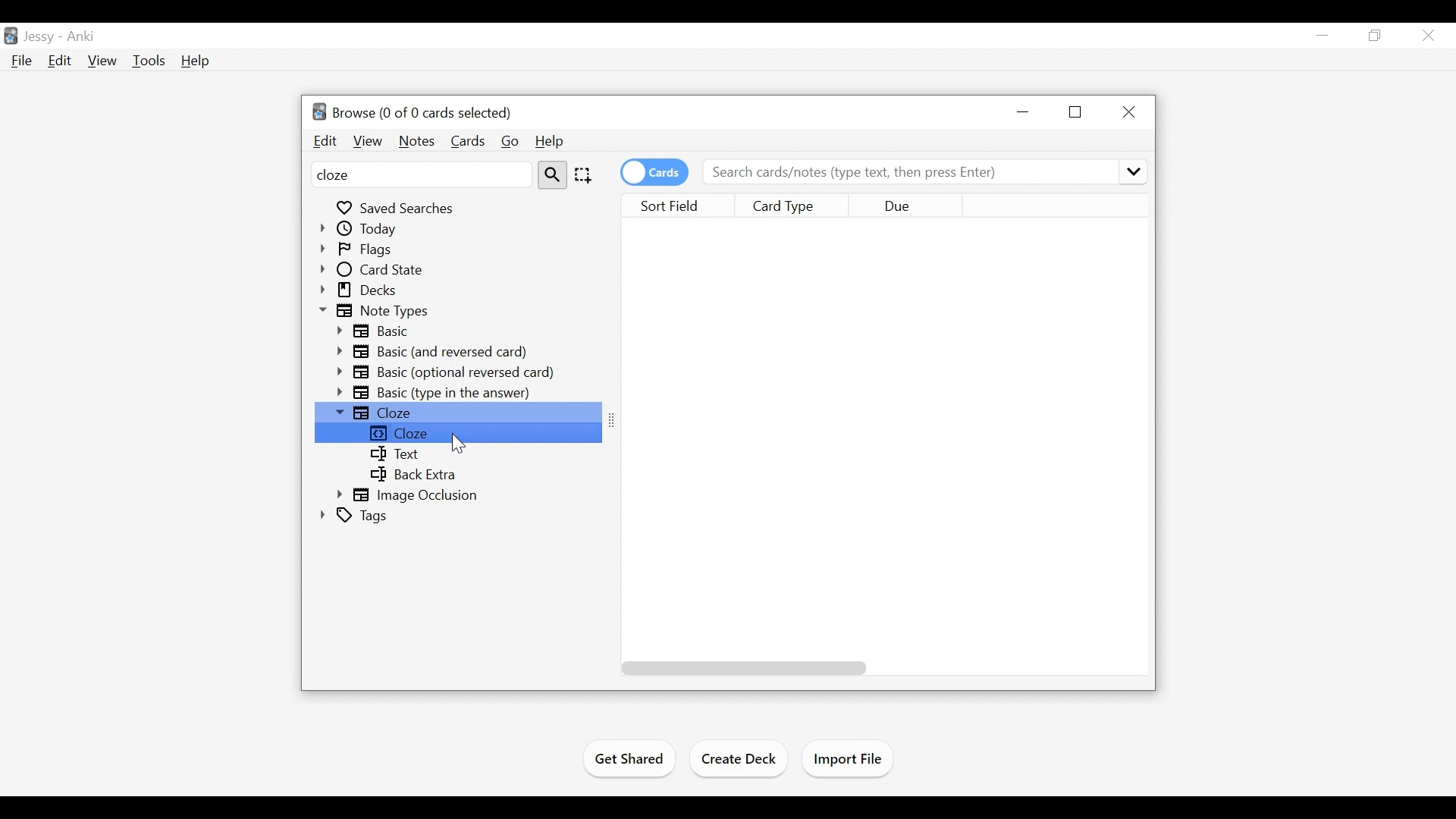 The height and width of the screenshot is (819, 1456). I want to click on Anki Desktop icon, so click(10, 36).